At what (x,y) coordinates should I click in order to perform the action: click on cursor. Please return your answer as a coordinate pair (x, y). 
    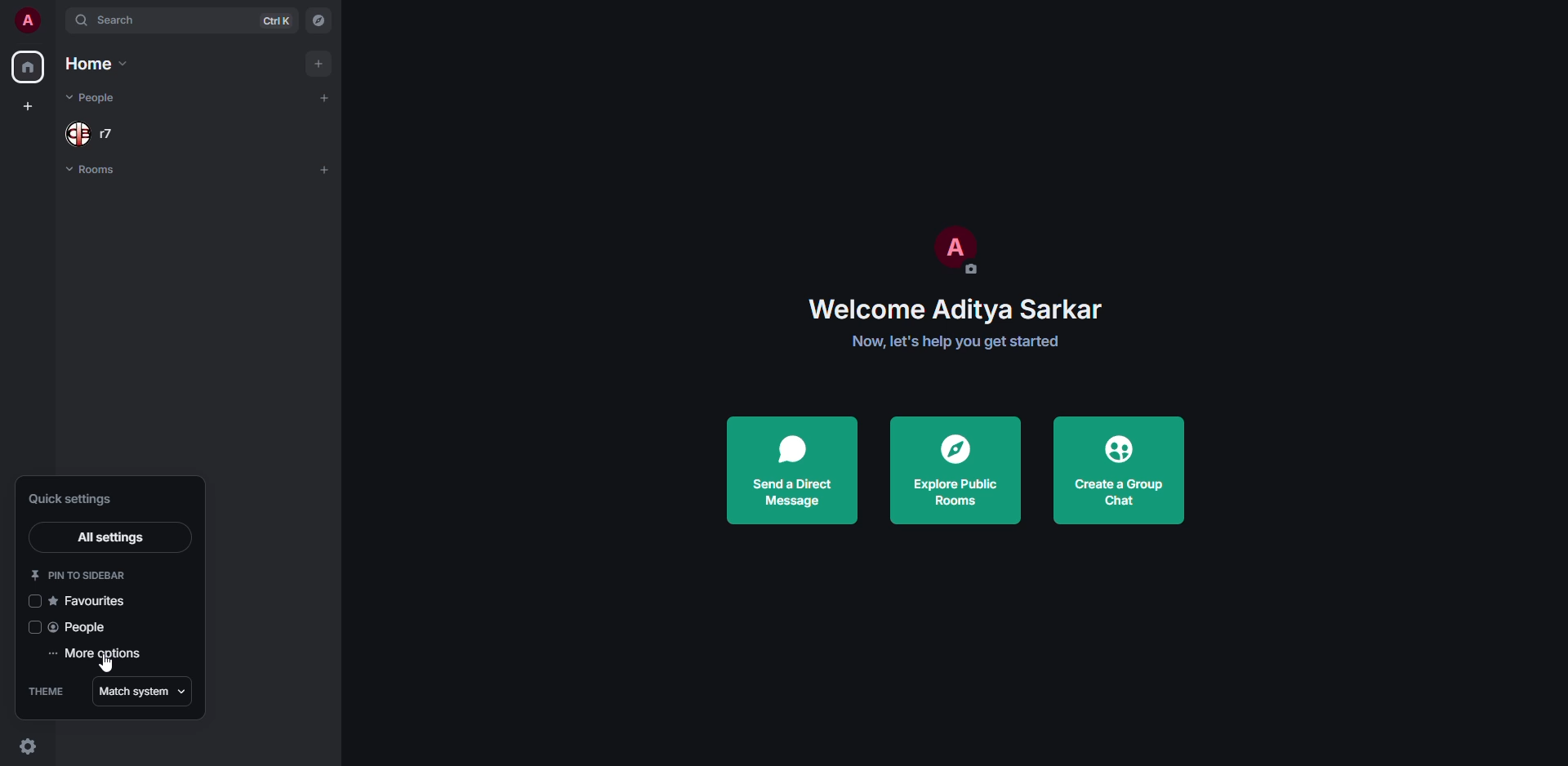
    Looking at the image, I should click on (105, 666).